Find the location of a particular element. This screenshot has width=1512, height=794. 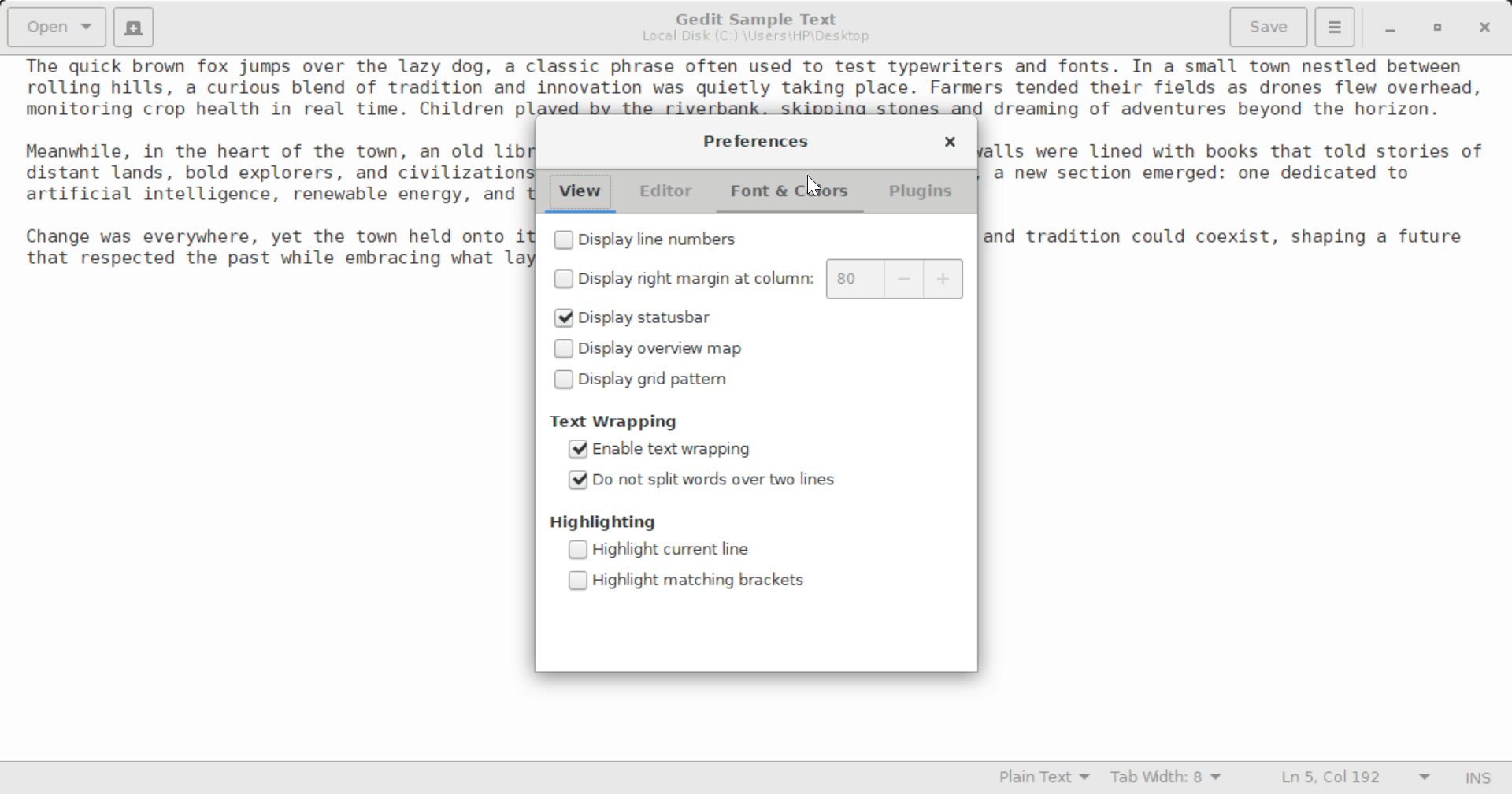

Font & Colors Tab is located at coordinates (792, 191).